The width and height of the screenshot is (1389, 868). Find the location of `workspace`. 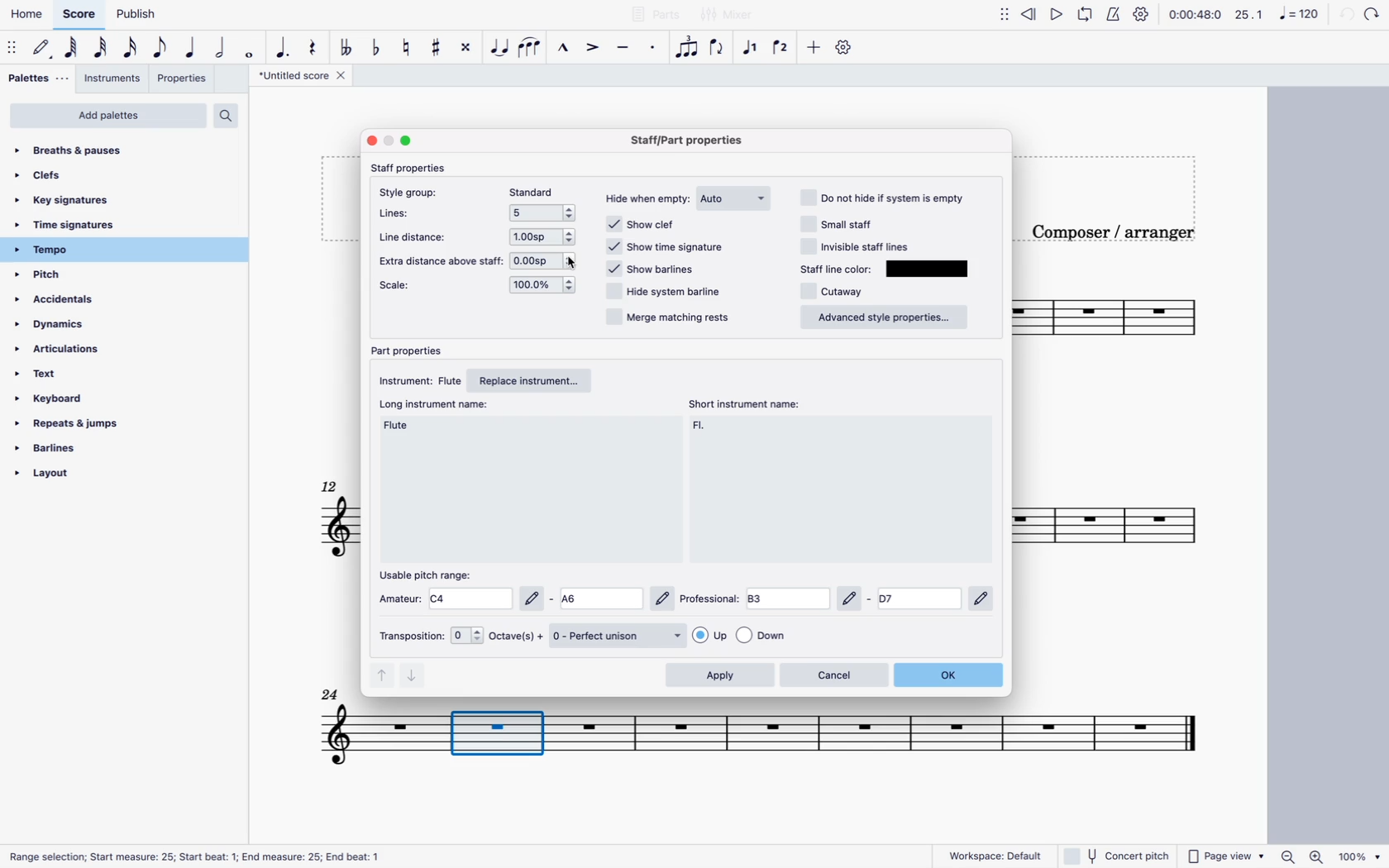

workspace is located at coordinates (987, 855).